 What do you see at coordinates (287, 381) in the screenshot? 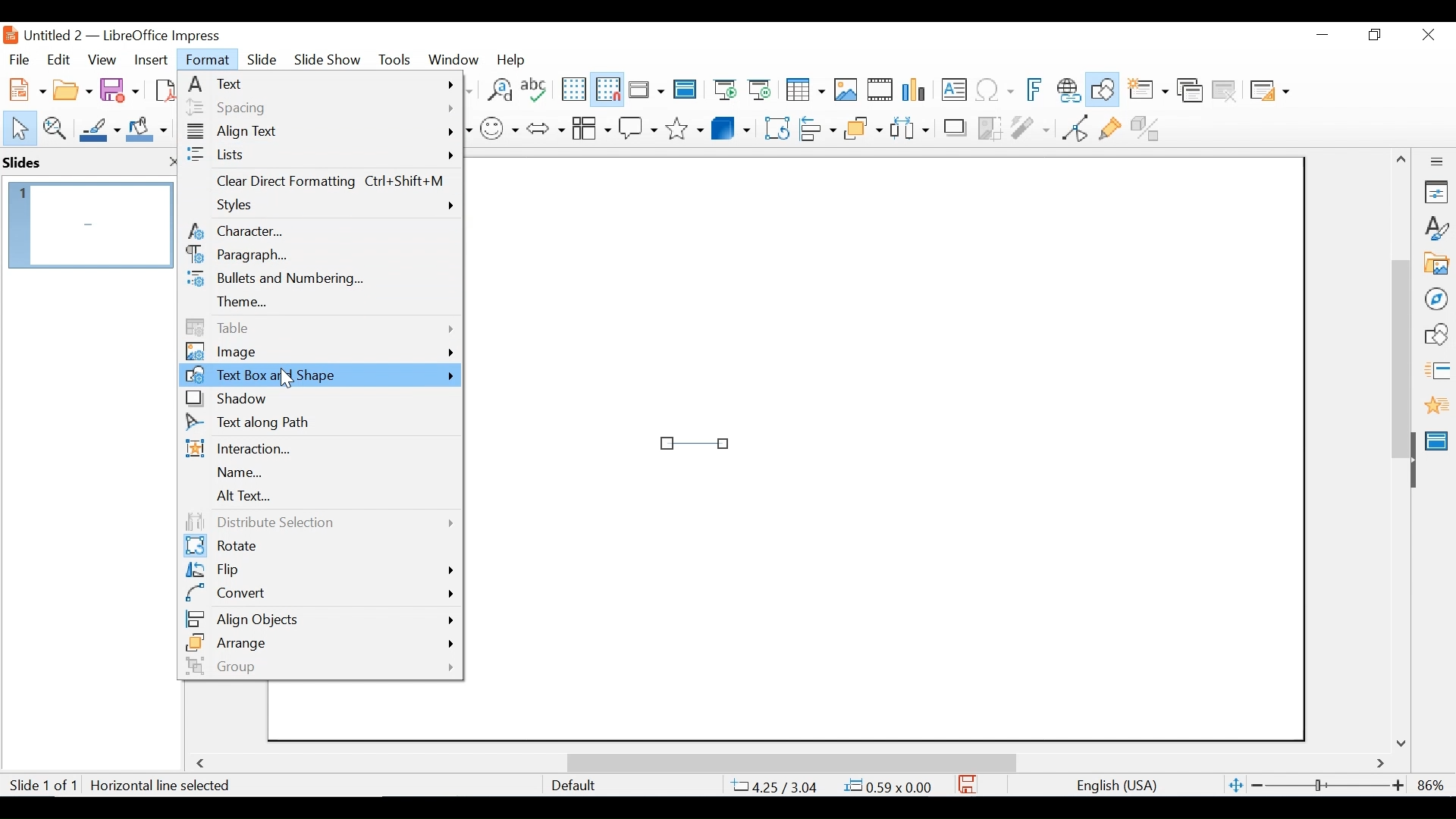
I see `Cursor` at bounding box center [287, 381].